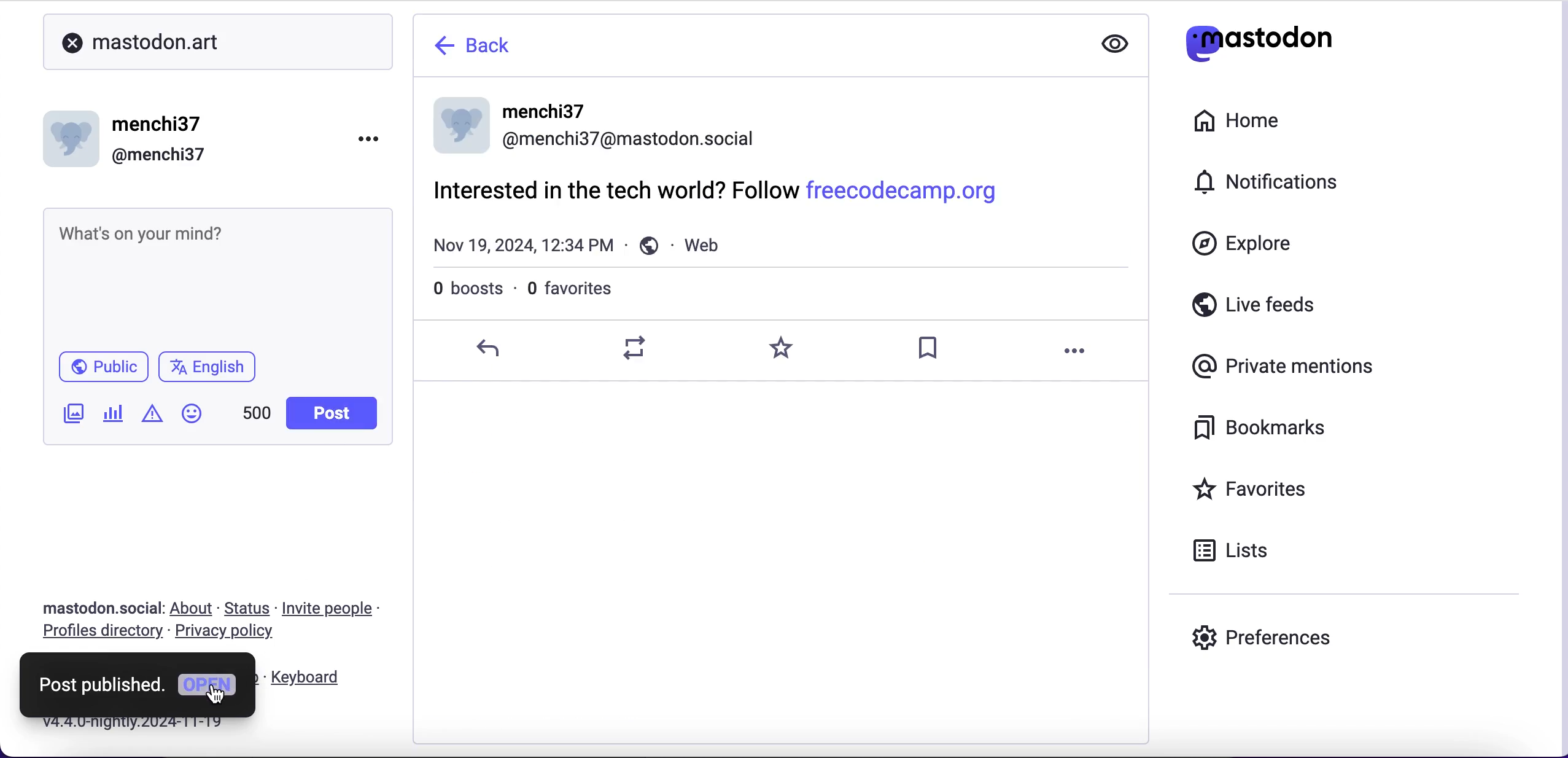 This screenshot has width=1568, height=758. Describe the element at coordinates (1283, 365) in the screenshot. I see `private mentions` at that location.